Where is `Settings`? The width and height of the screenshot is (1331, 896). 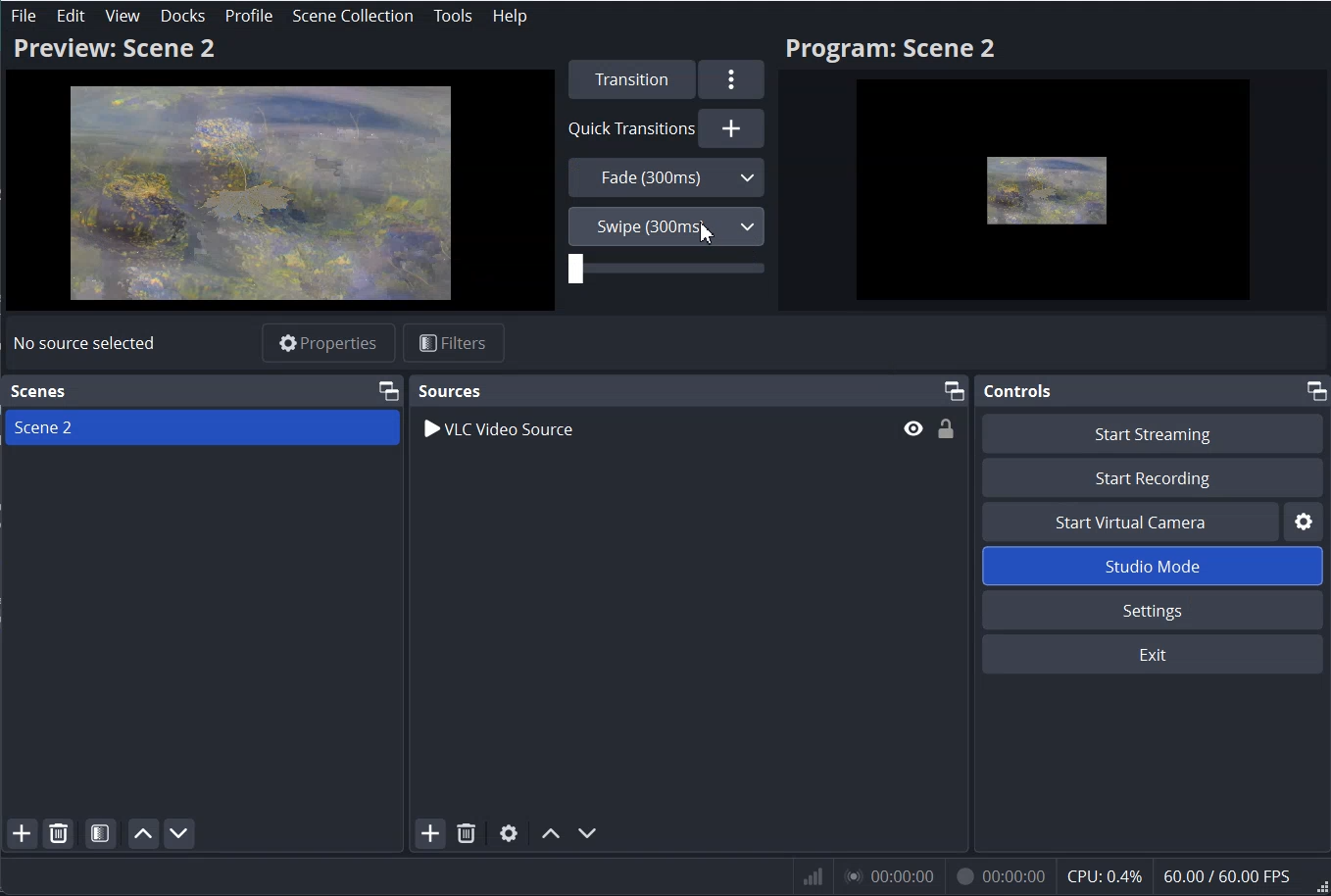
Settings is located at coordinates (1156, 610).